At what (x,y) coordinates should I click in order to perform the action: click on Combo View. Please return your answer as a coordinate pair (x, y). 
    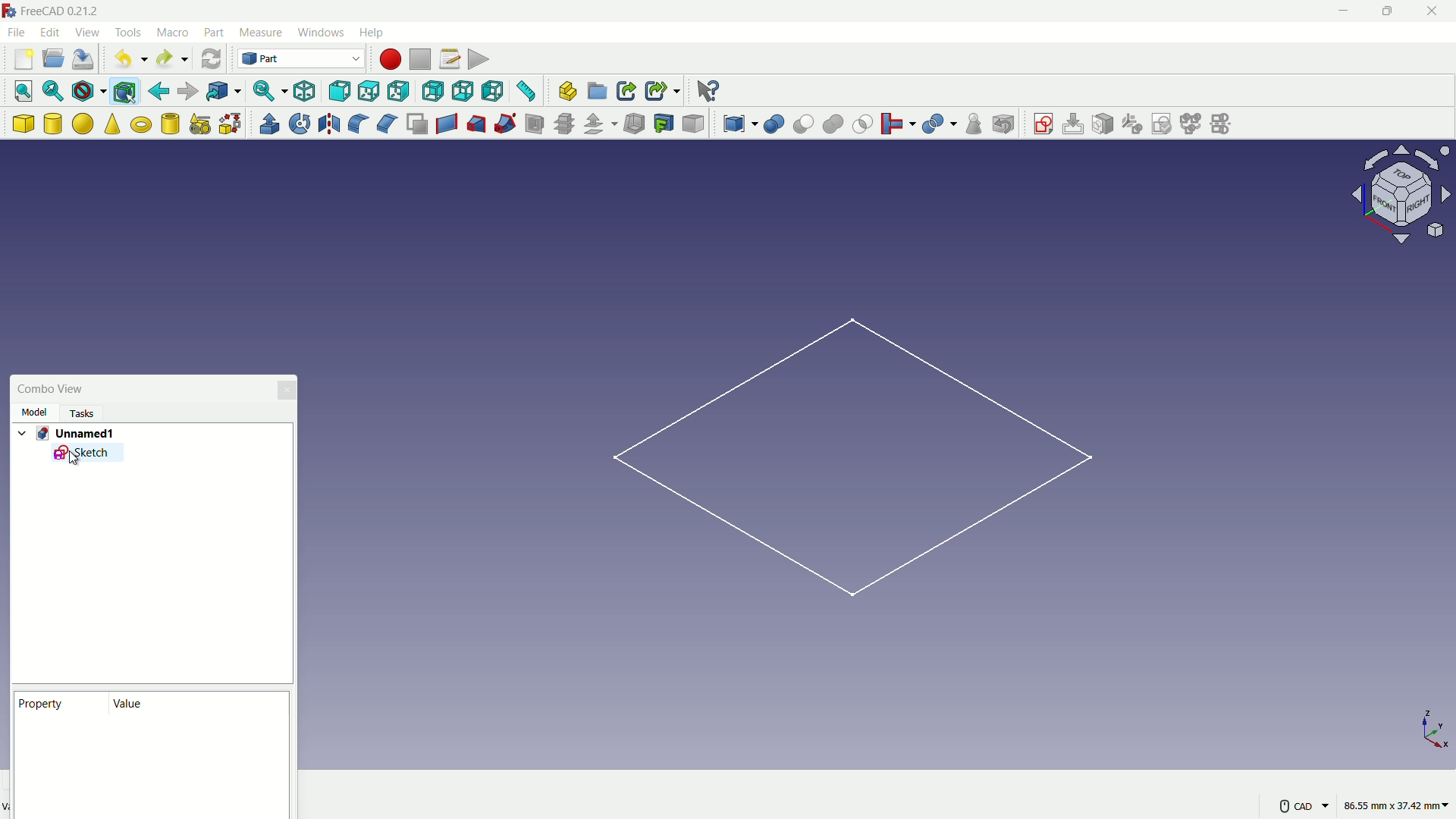
    Looking at the image, I should click on (52, 388).